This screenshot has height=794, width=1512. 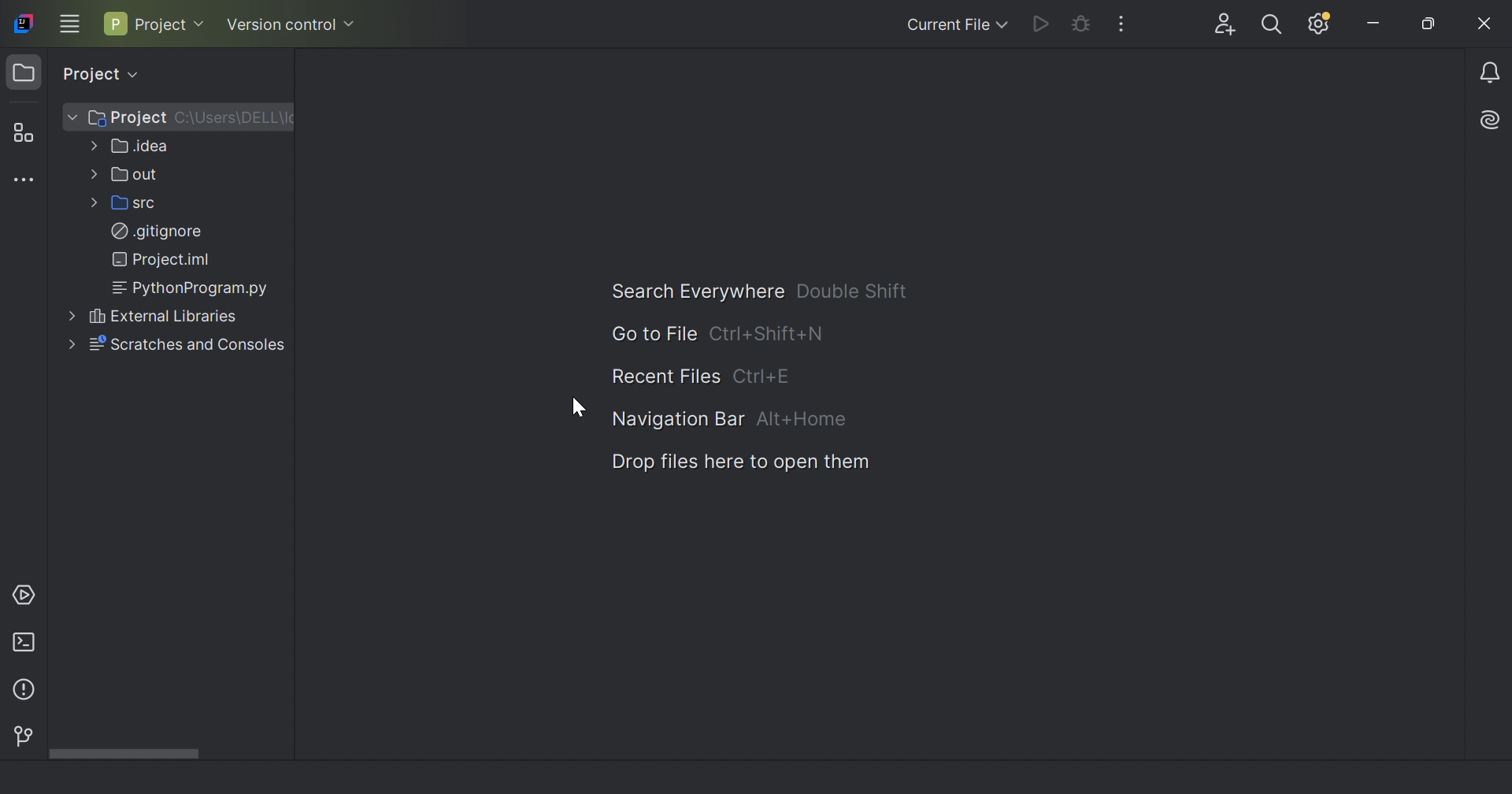 What do you see at coordinates (292, 24) in the screenshot?
I see `Version control` at bounding box center [292, 24].